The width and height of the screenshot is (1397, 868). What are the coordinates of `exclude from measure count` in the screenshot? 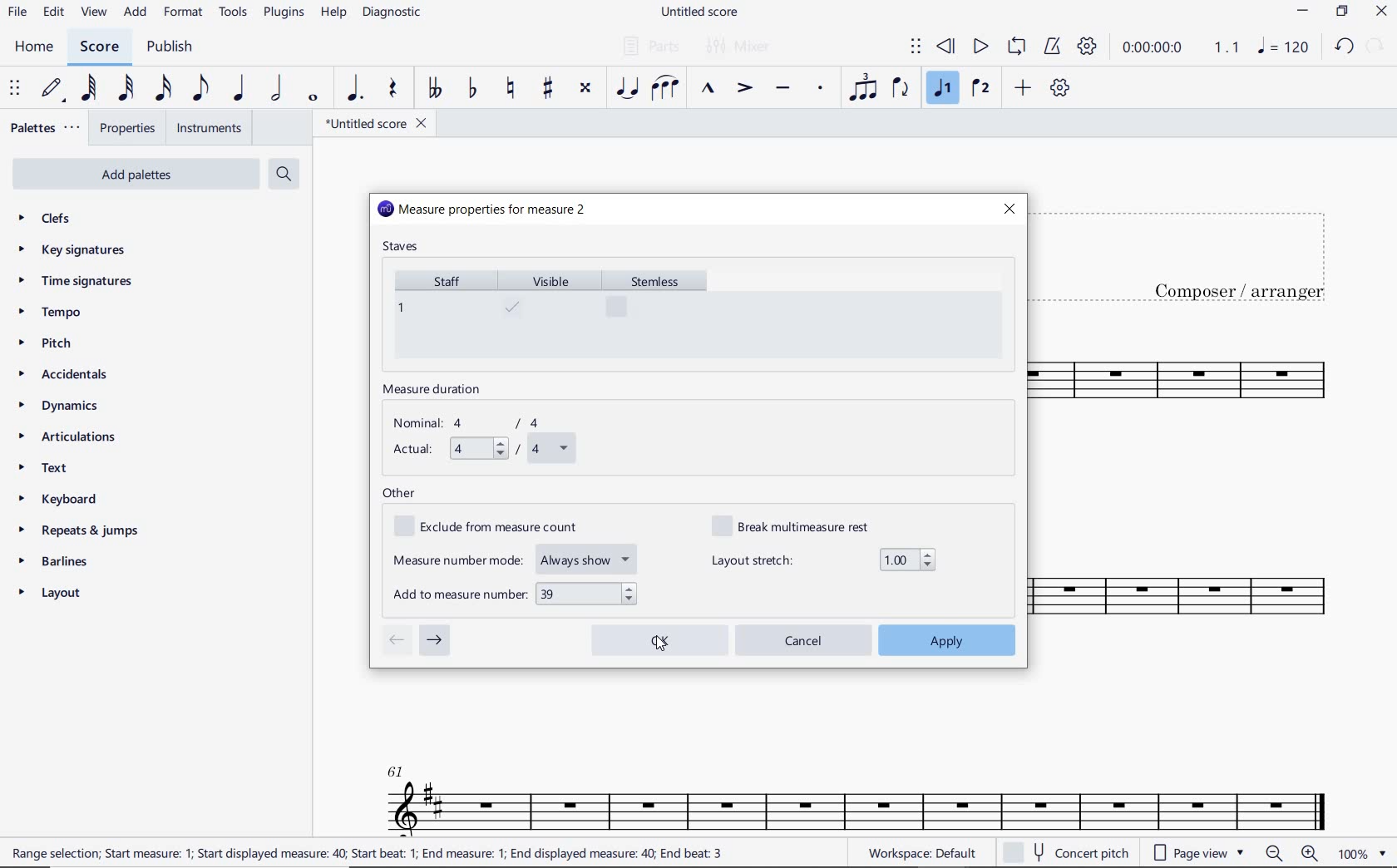 It's located at (496, 527).